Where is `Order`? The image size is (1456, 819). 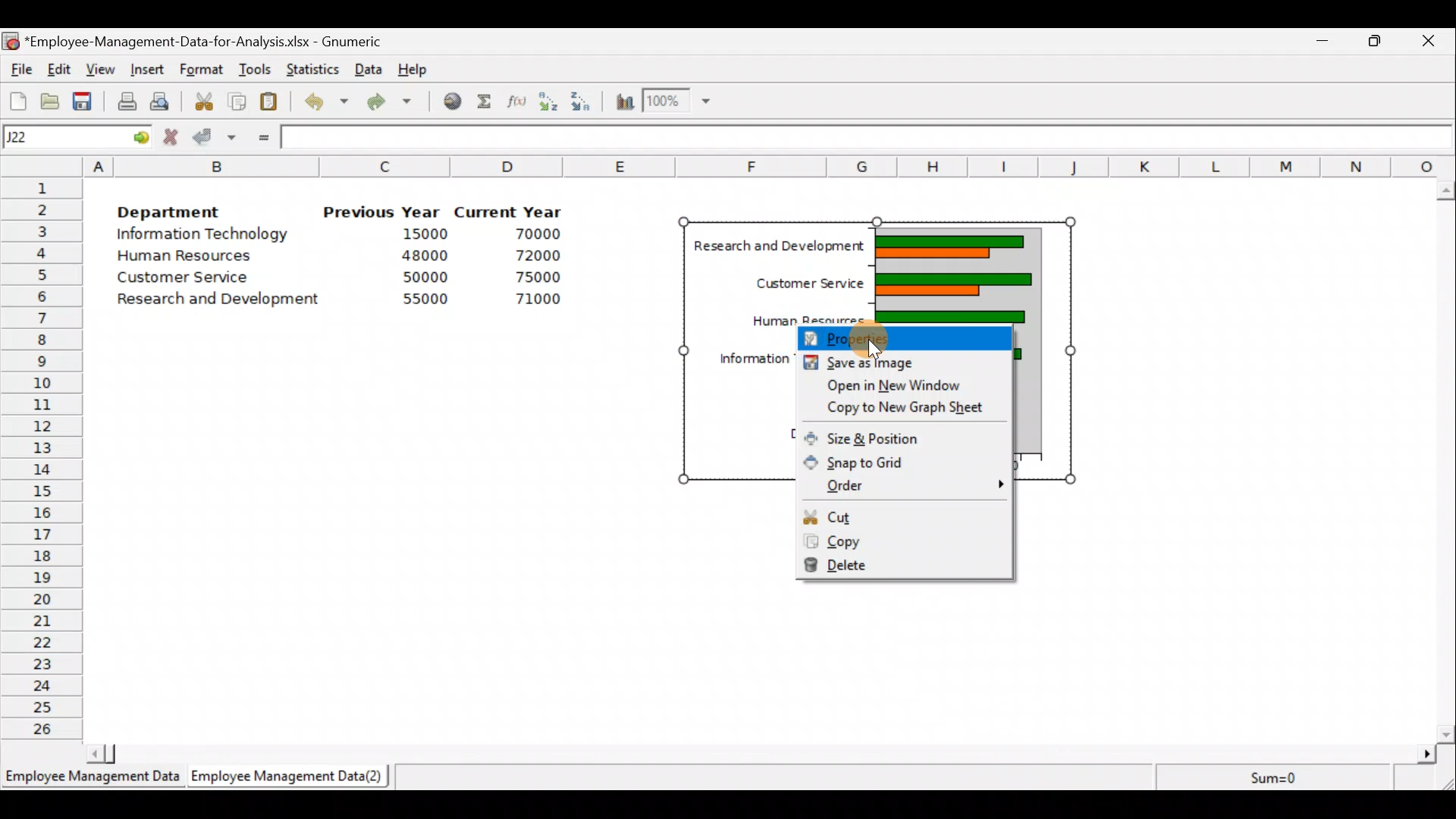 Order is located at coordinates (905, 487).